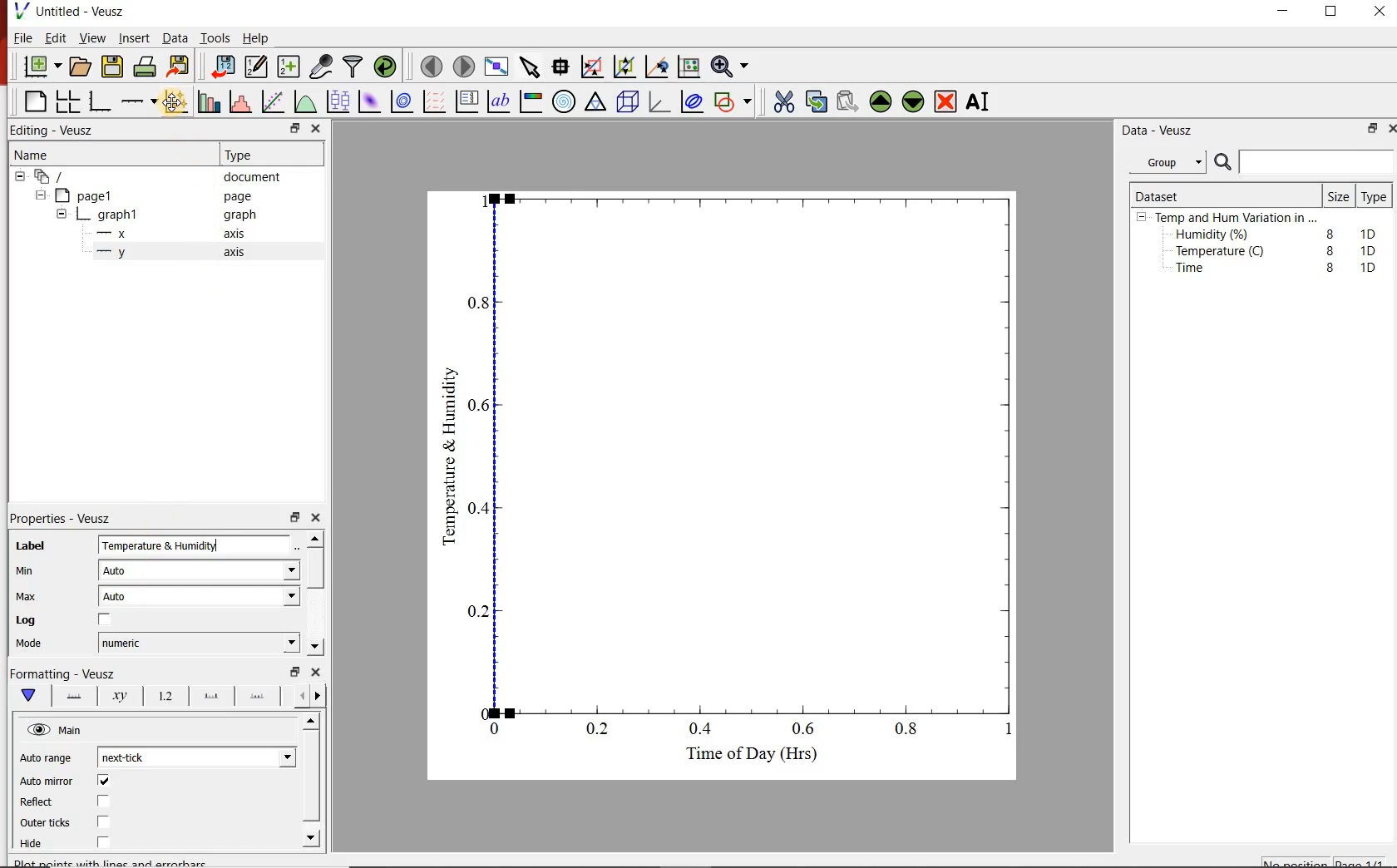  Describe the element at coordinates (449, 451) in the screenshot. I see `Temperature & Humidity` at that location.